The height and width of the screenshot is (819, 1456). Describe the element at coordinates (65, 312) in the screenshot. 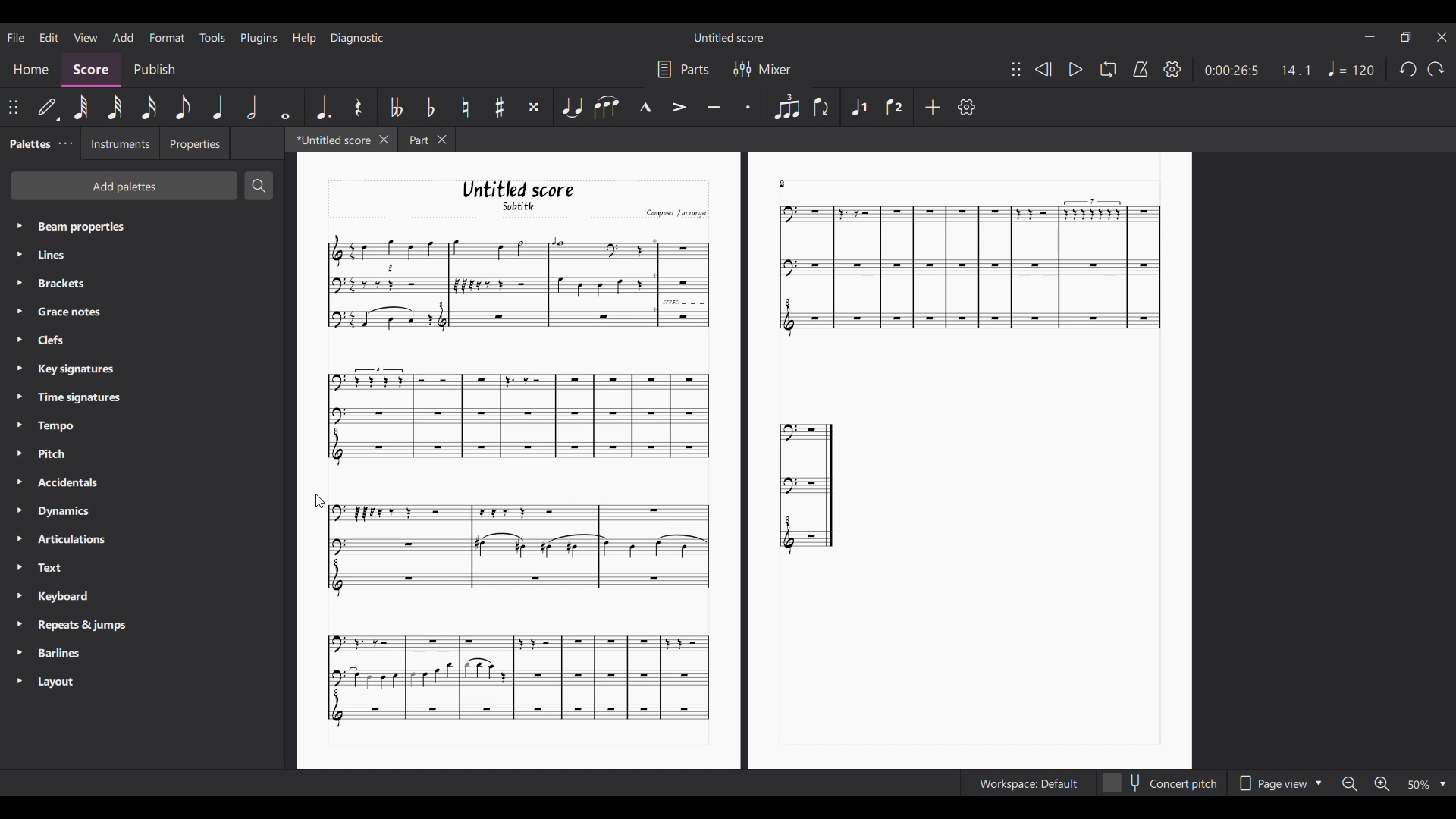

I see `» Grace notes` at that location.